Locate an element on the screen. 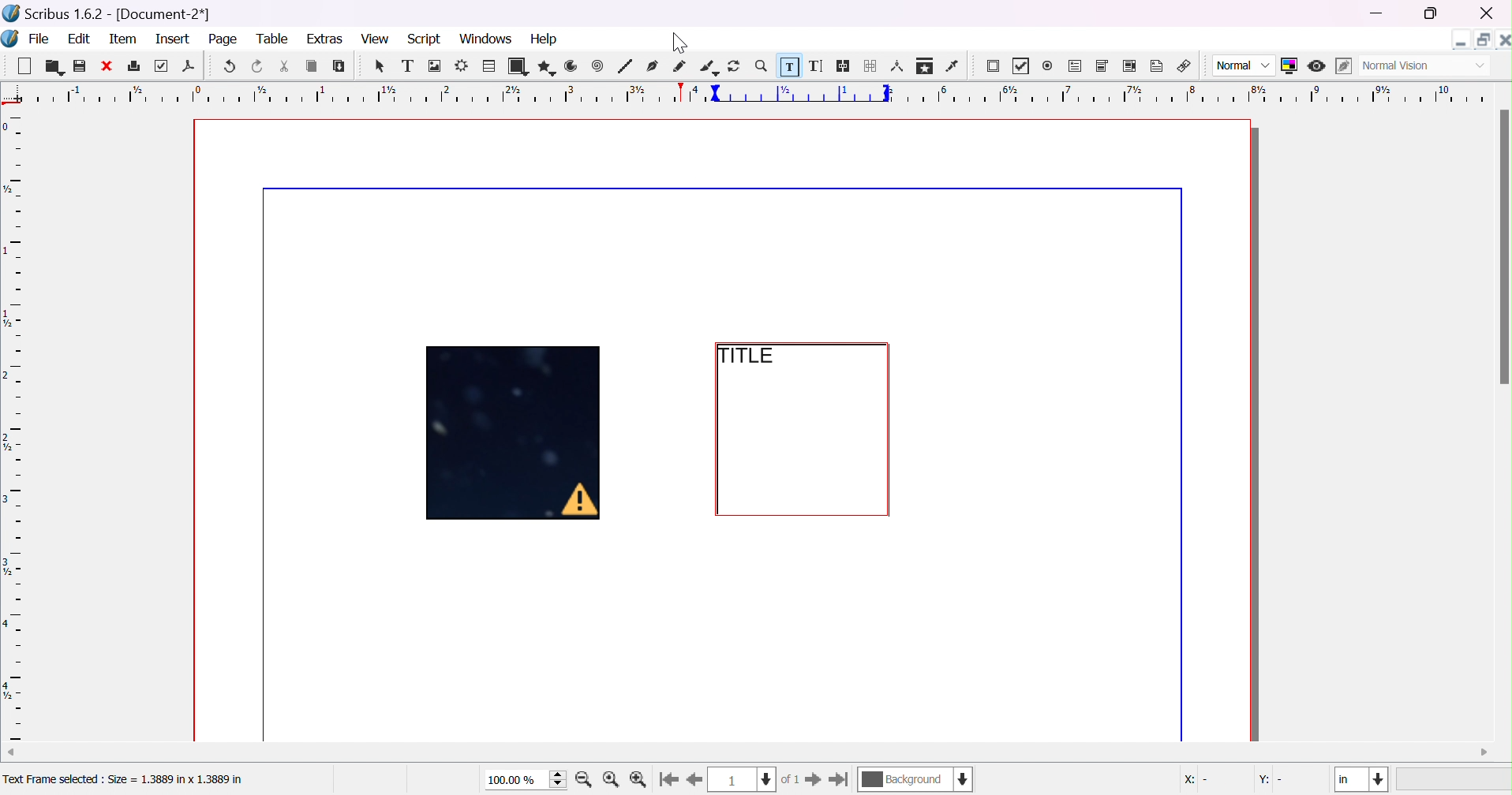 This screenshot has width=1512, height=795. help is located at coordinates (546, 38).